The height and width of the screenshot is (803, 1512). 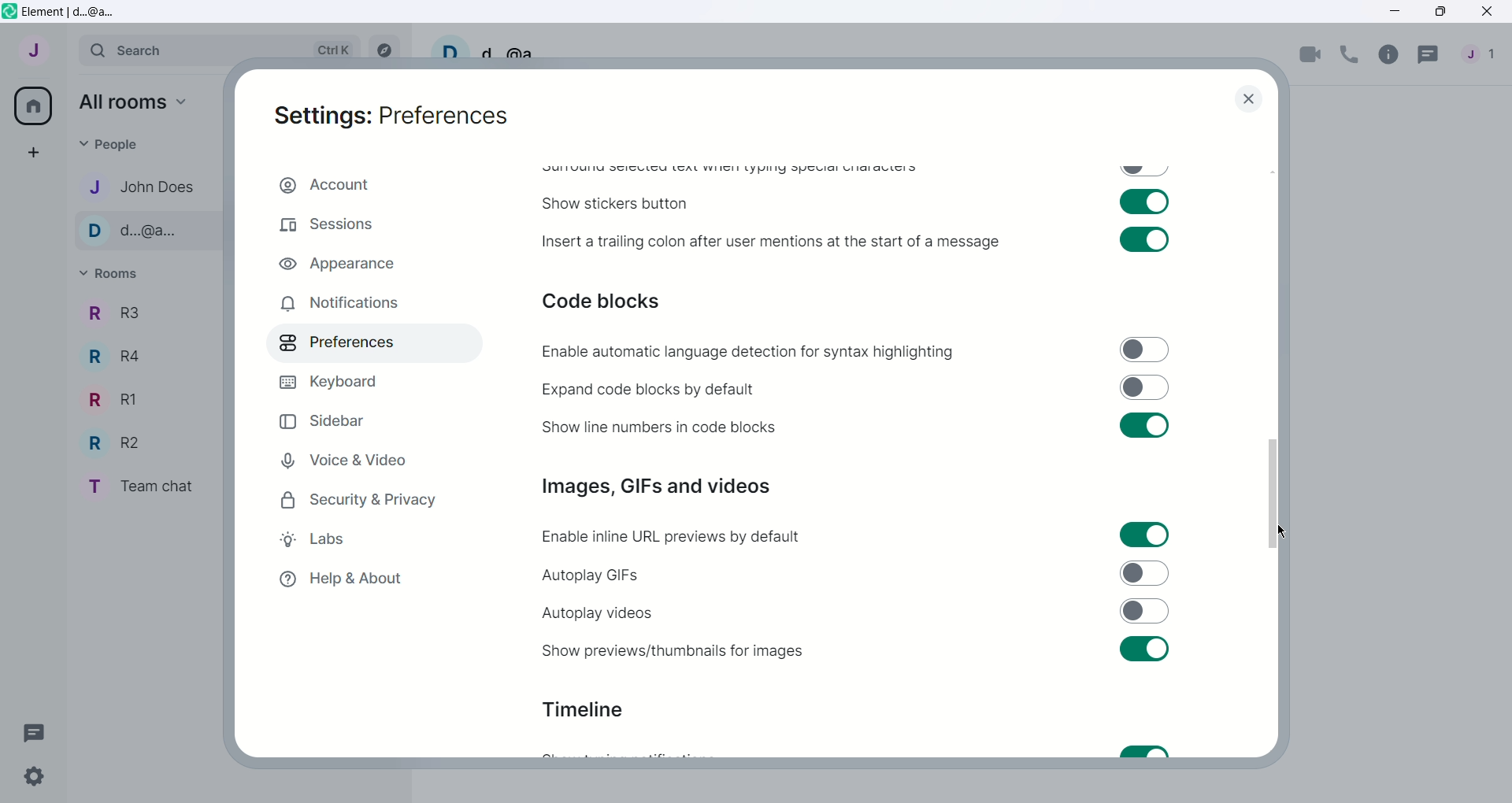 I want to click on R2 - Room Name, so click(x=120, y=442).